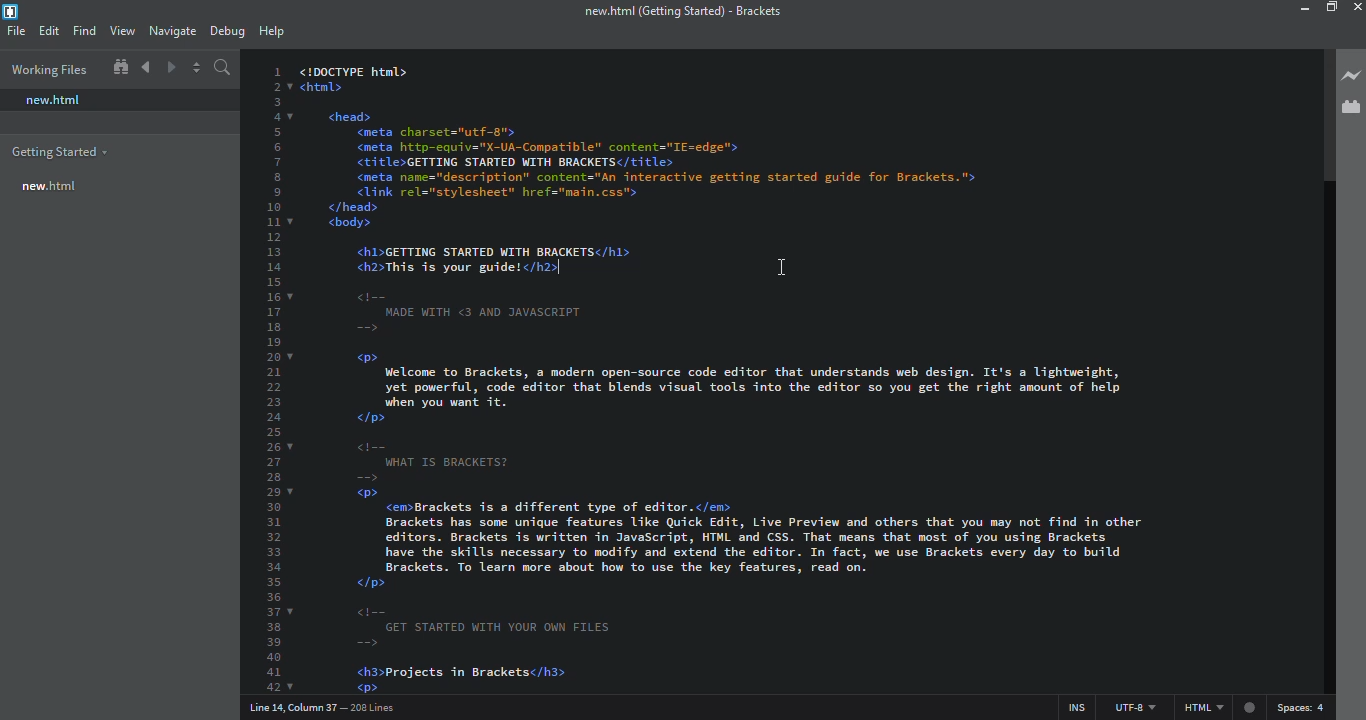 The height and width of the screenshot is (720, 1366). Describe the element at coordinates (124, 30) in the screenshot. I see `view` at that location.